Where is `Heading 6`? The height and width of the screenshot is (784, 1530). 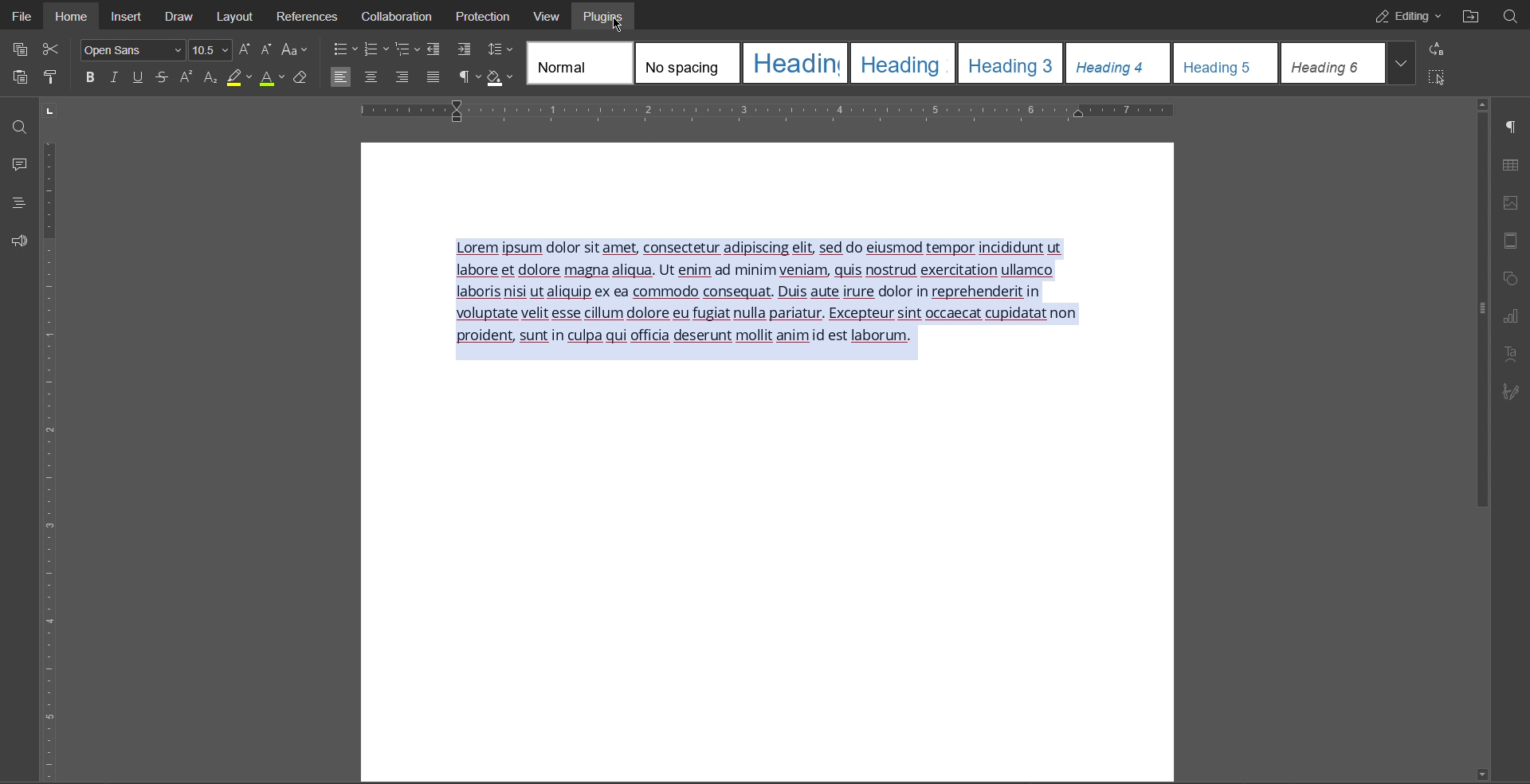 Heading 6 is located at coordinates (1345, 63).